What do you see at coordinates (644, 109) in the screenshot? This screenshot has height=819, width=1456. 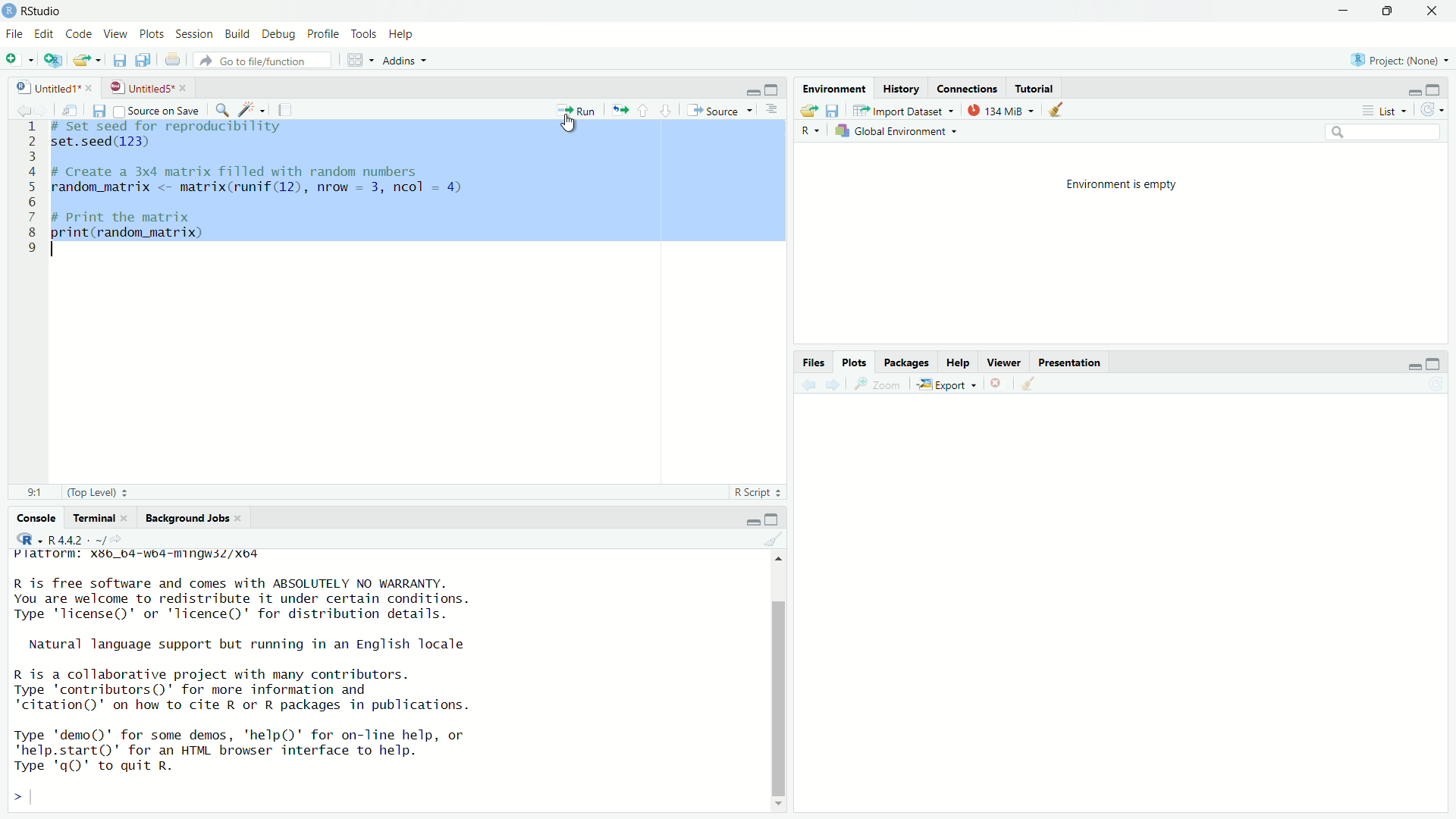 I see `upward` at bounding box center [644, 109].